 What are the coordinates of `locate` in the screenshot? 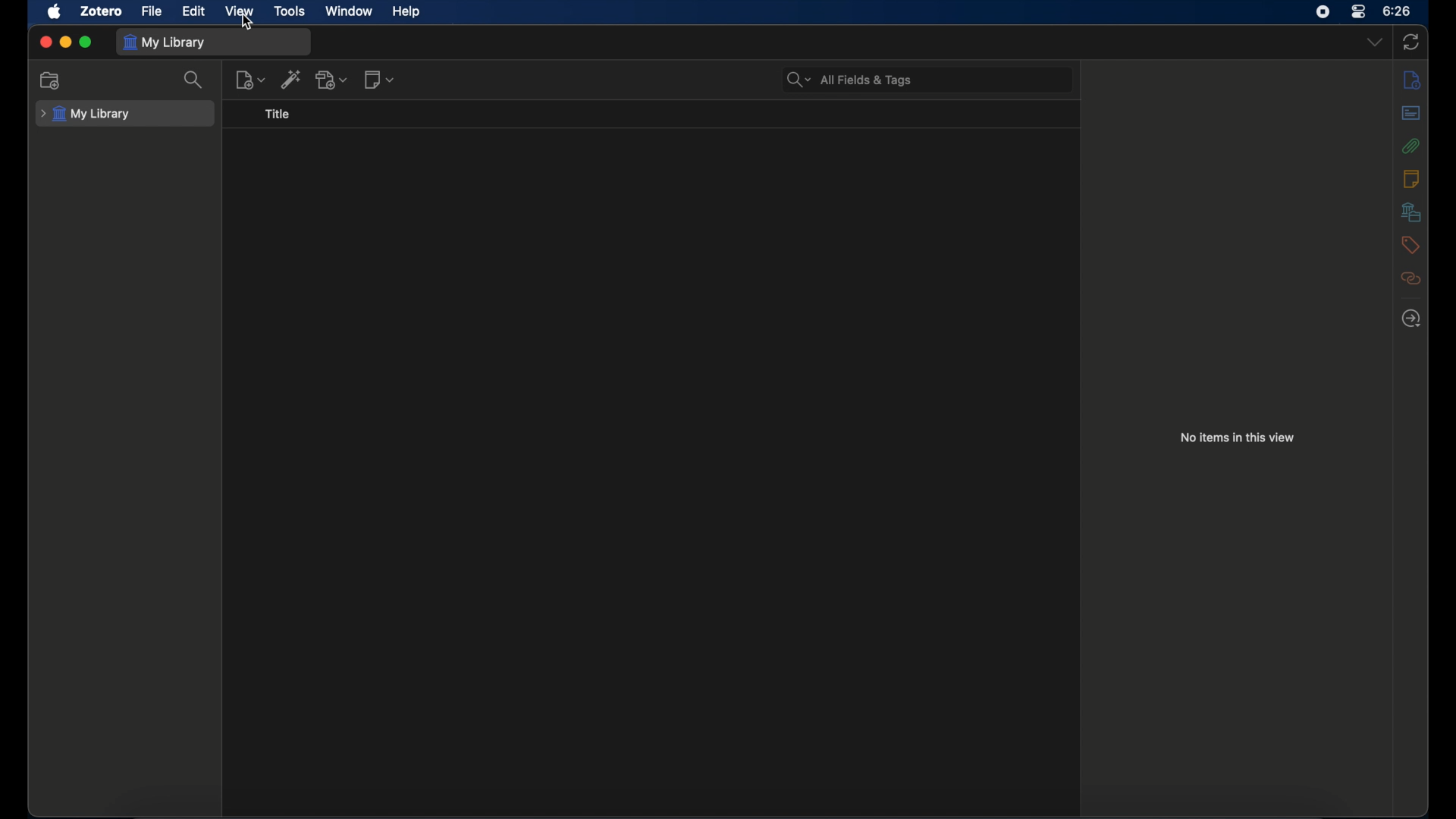 It's located at (1411, 318).